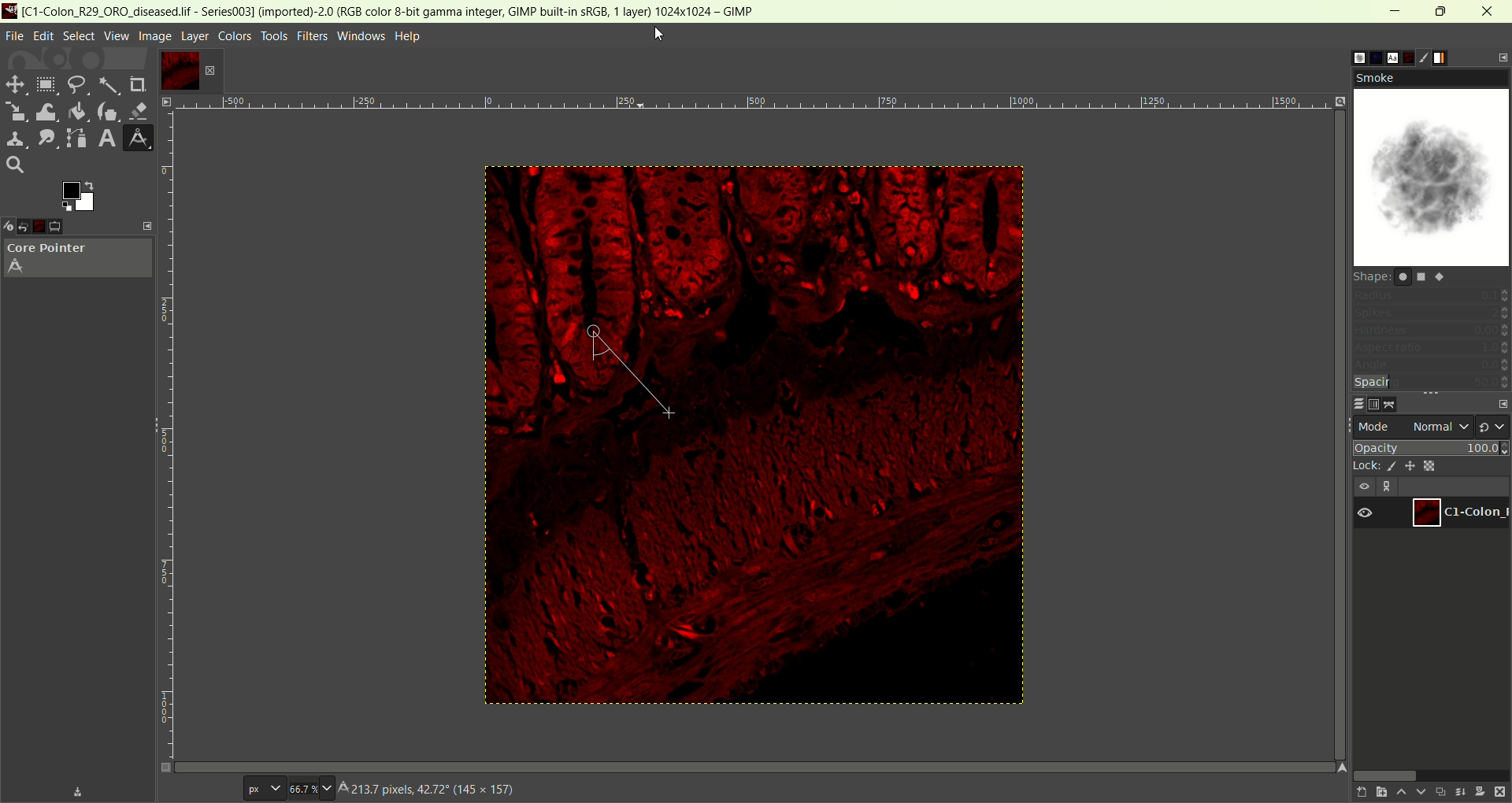 This screenshot has height=803, width=1512. Describe the element at coordinates (1400, 793) in the screenshot. I see `raise this layer one step` at that location.